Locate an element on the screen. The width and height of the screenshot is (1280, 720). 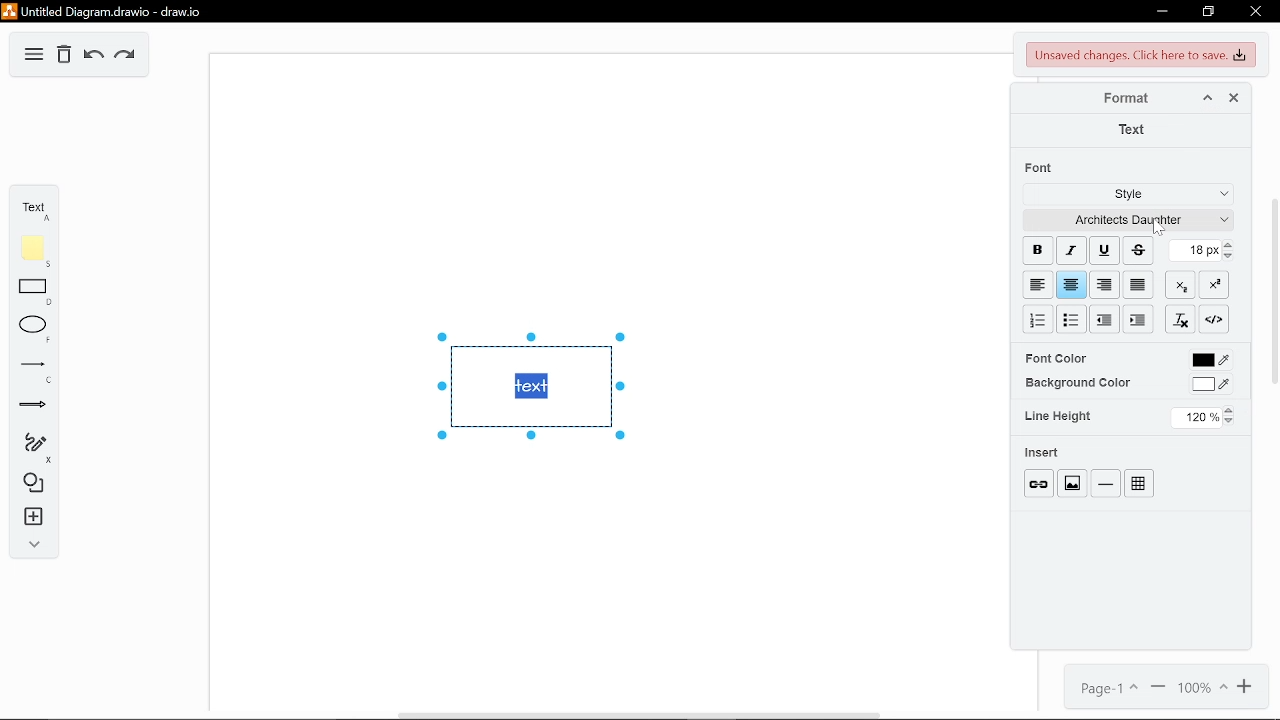
redo is located at coordinates (127, 56).